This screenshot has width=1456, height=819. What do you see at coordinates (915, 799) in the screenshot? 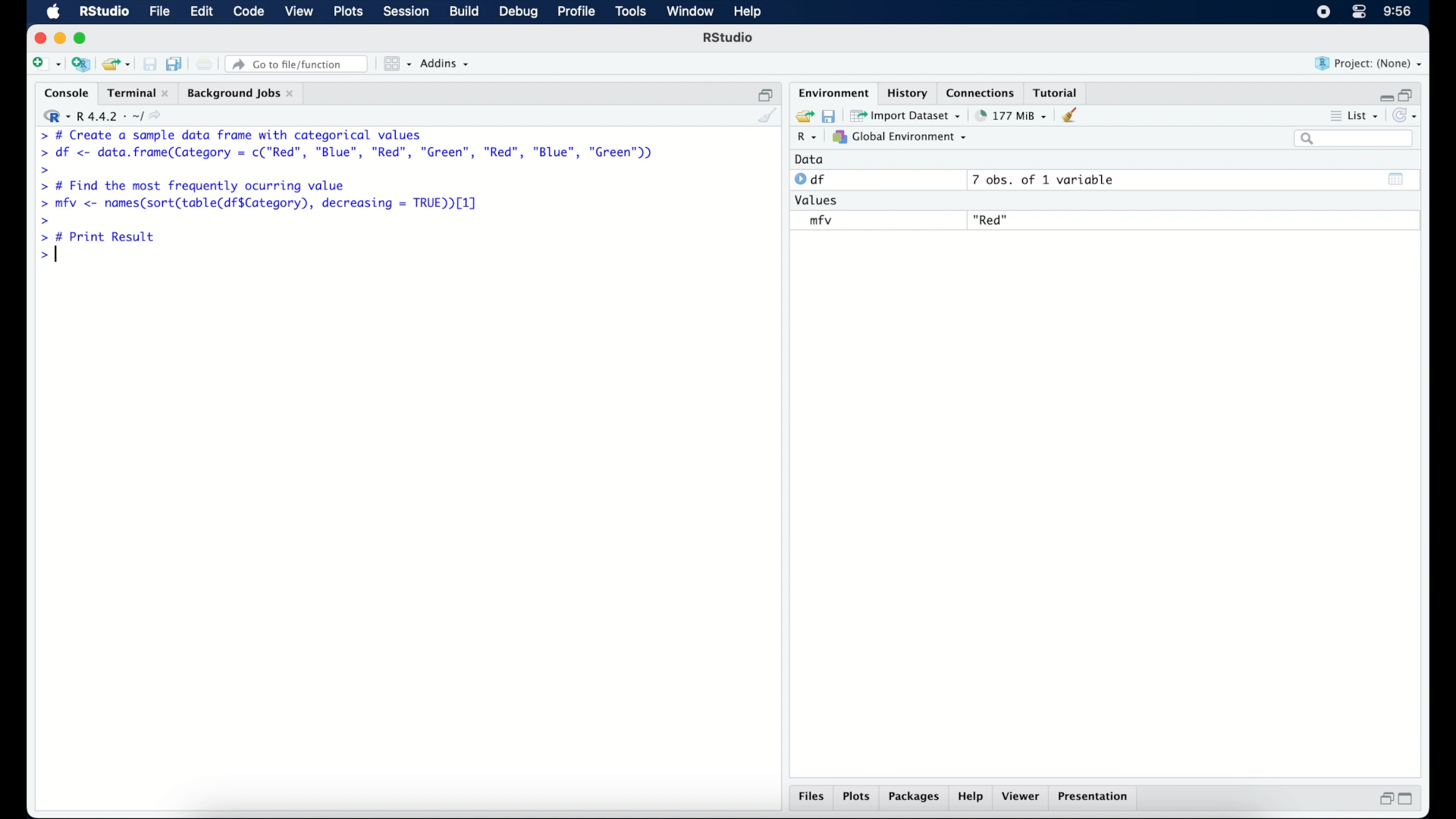
I see `packages` at bounding box center [915, 799].